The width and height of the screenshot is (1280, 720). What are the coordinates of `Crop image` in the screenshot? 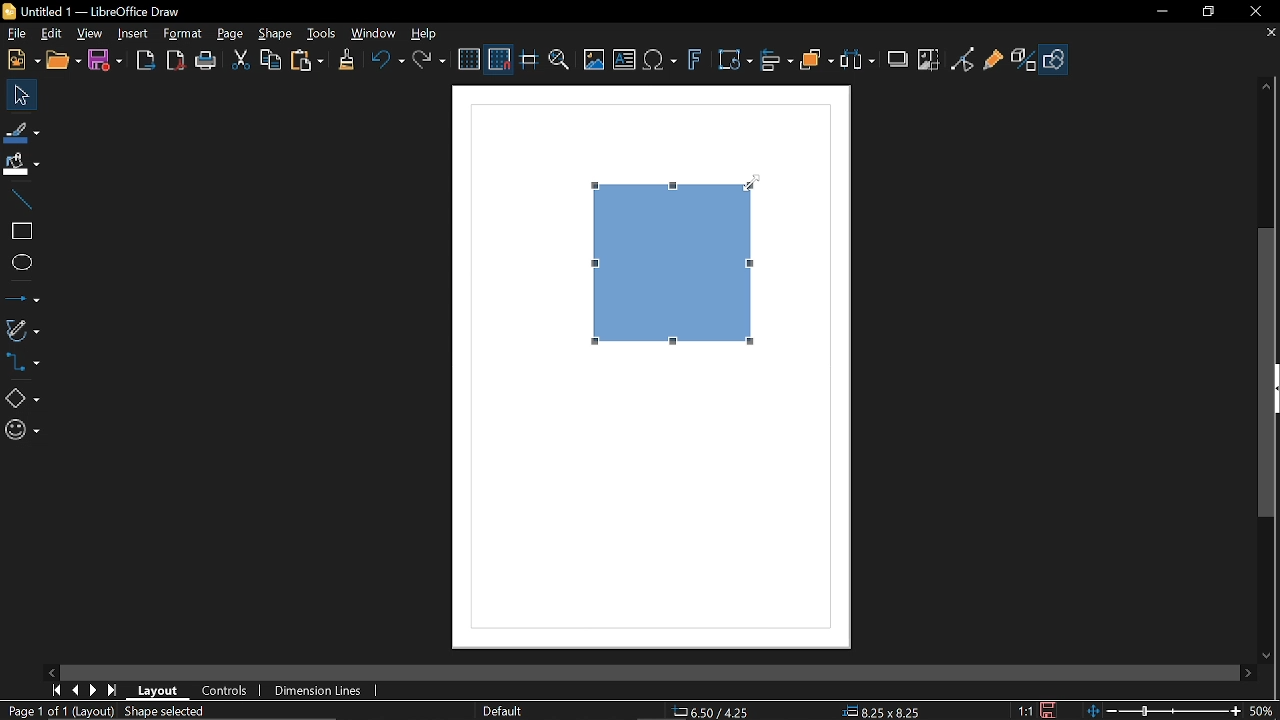 It's located at (929, 62).